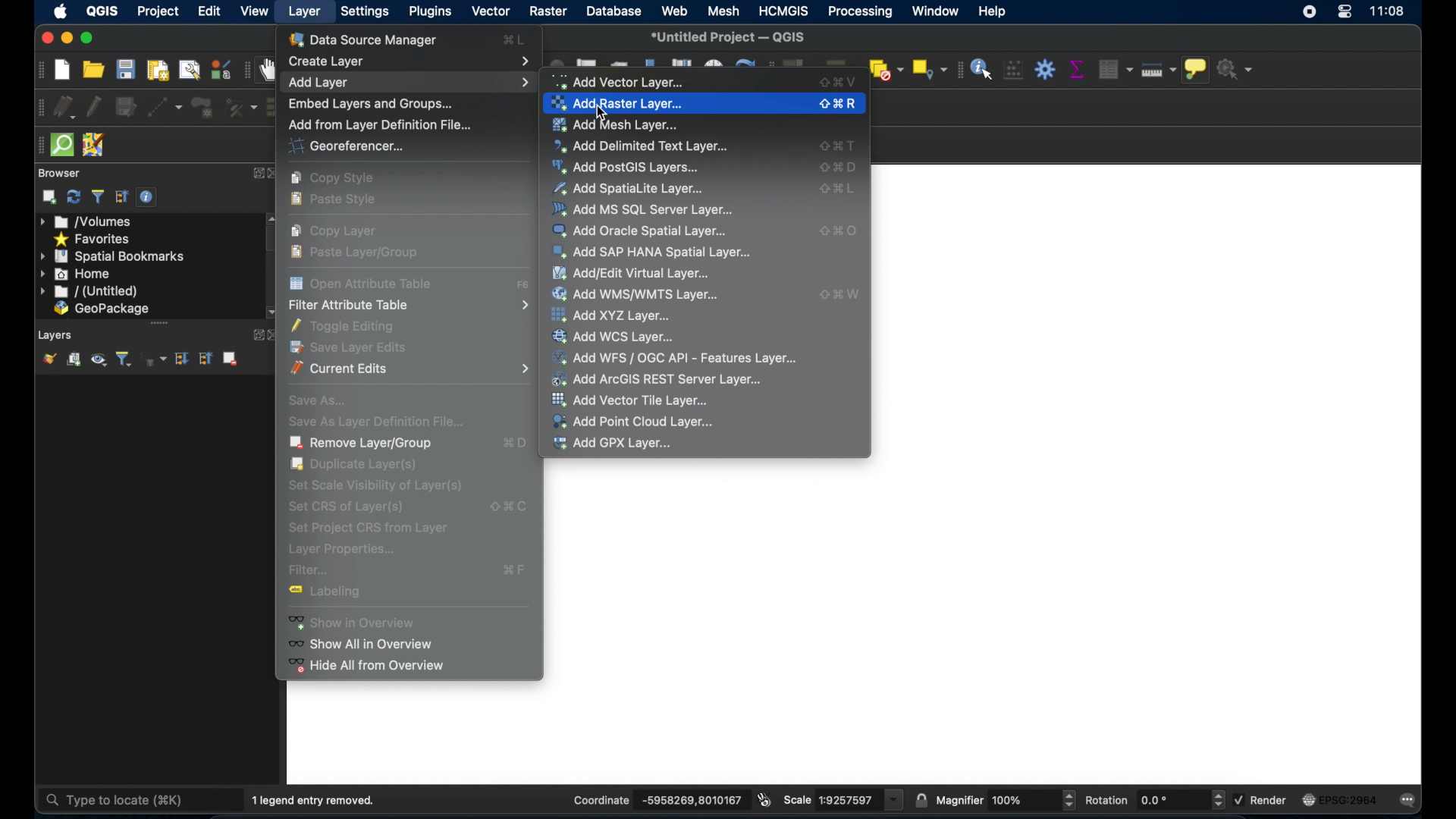  Describe the element at coordinates (1155, 800) in the screenshot. I see `rotations` at that location.